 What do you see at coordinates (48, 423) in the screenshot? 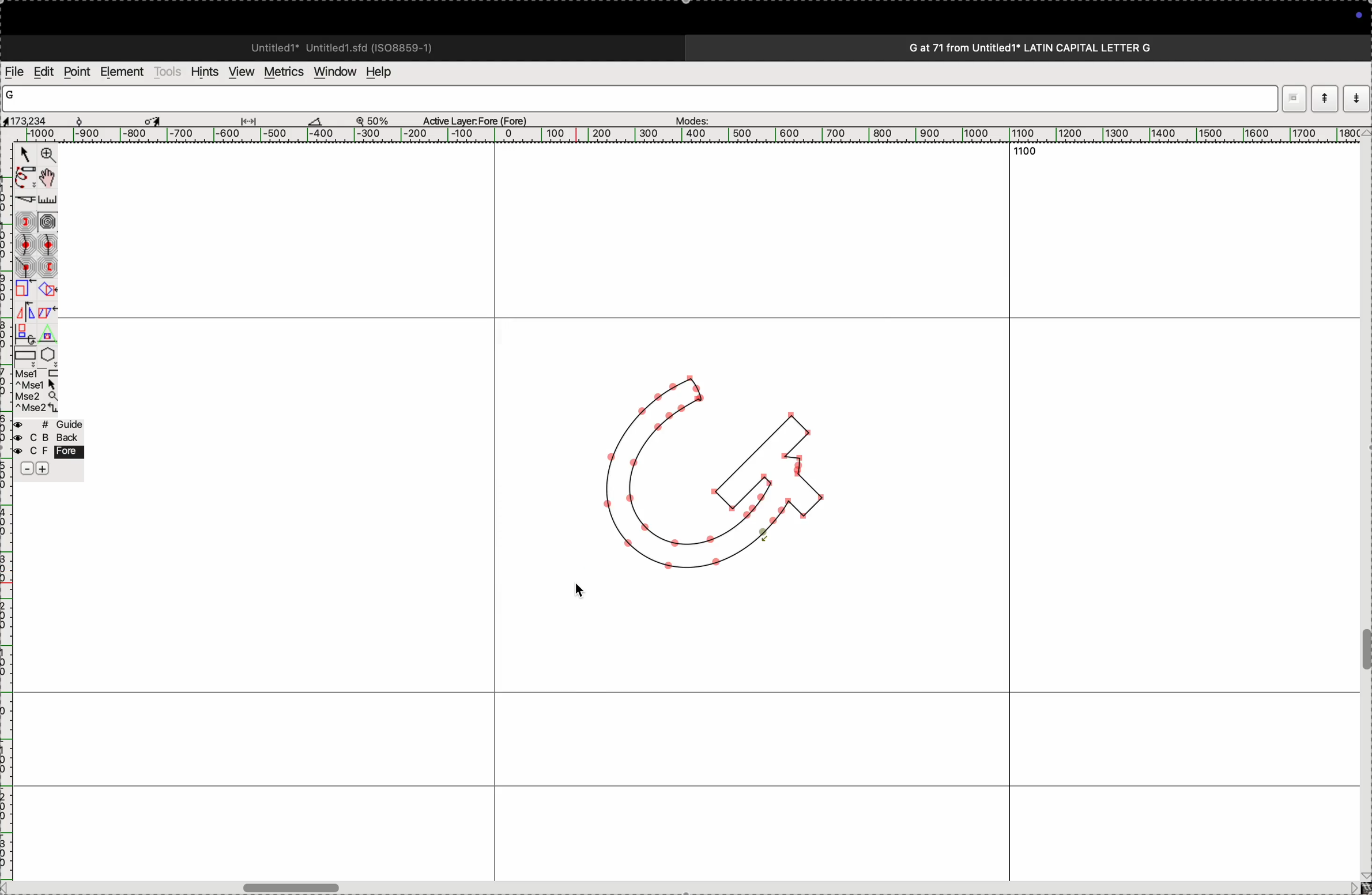
I see `guide layer` at bounding box center [48, 423].